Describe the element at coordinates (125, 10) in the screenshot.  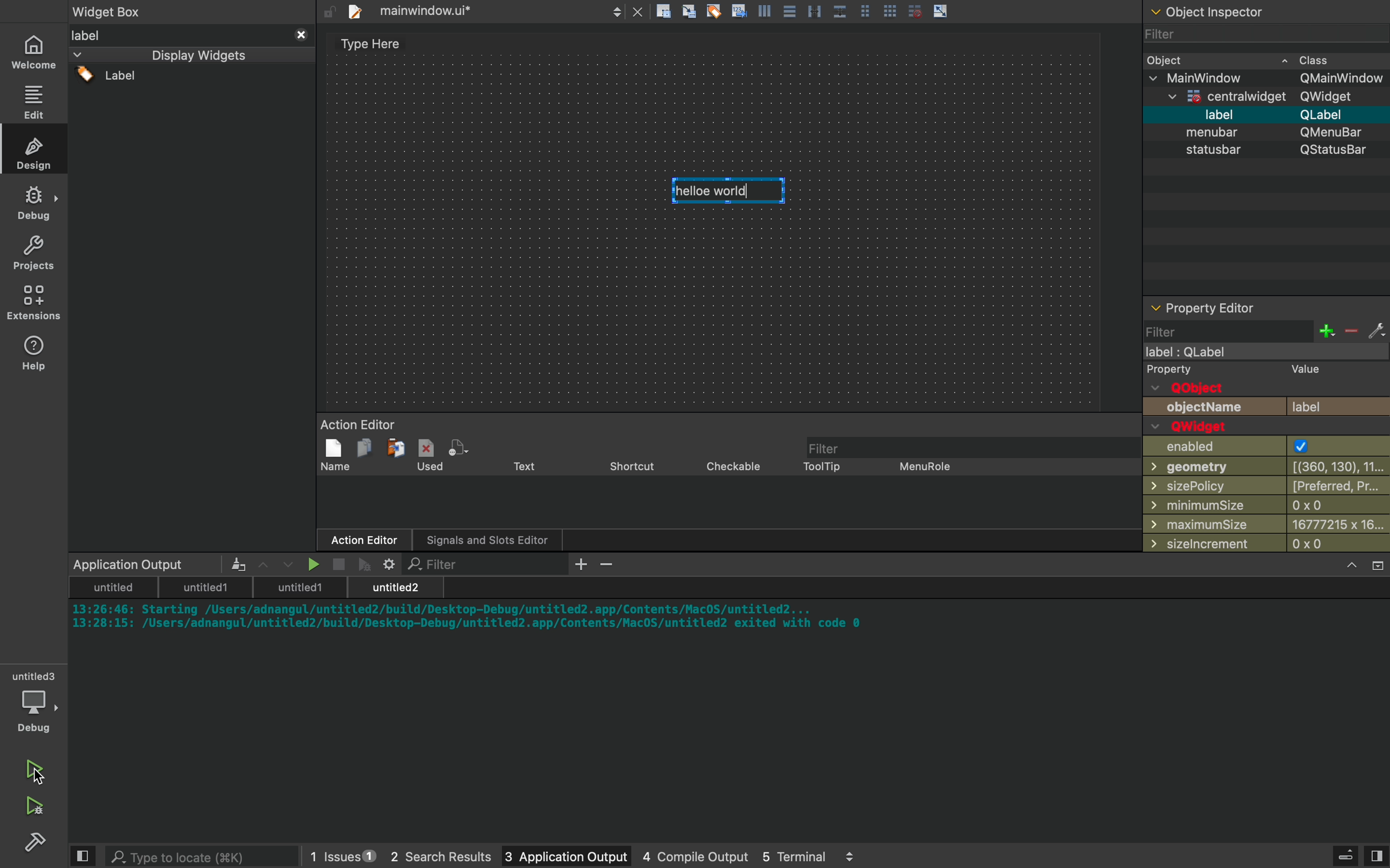
I see `widget box` at that location.